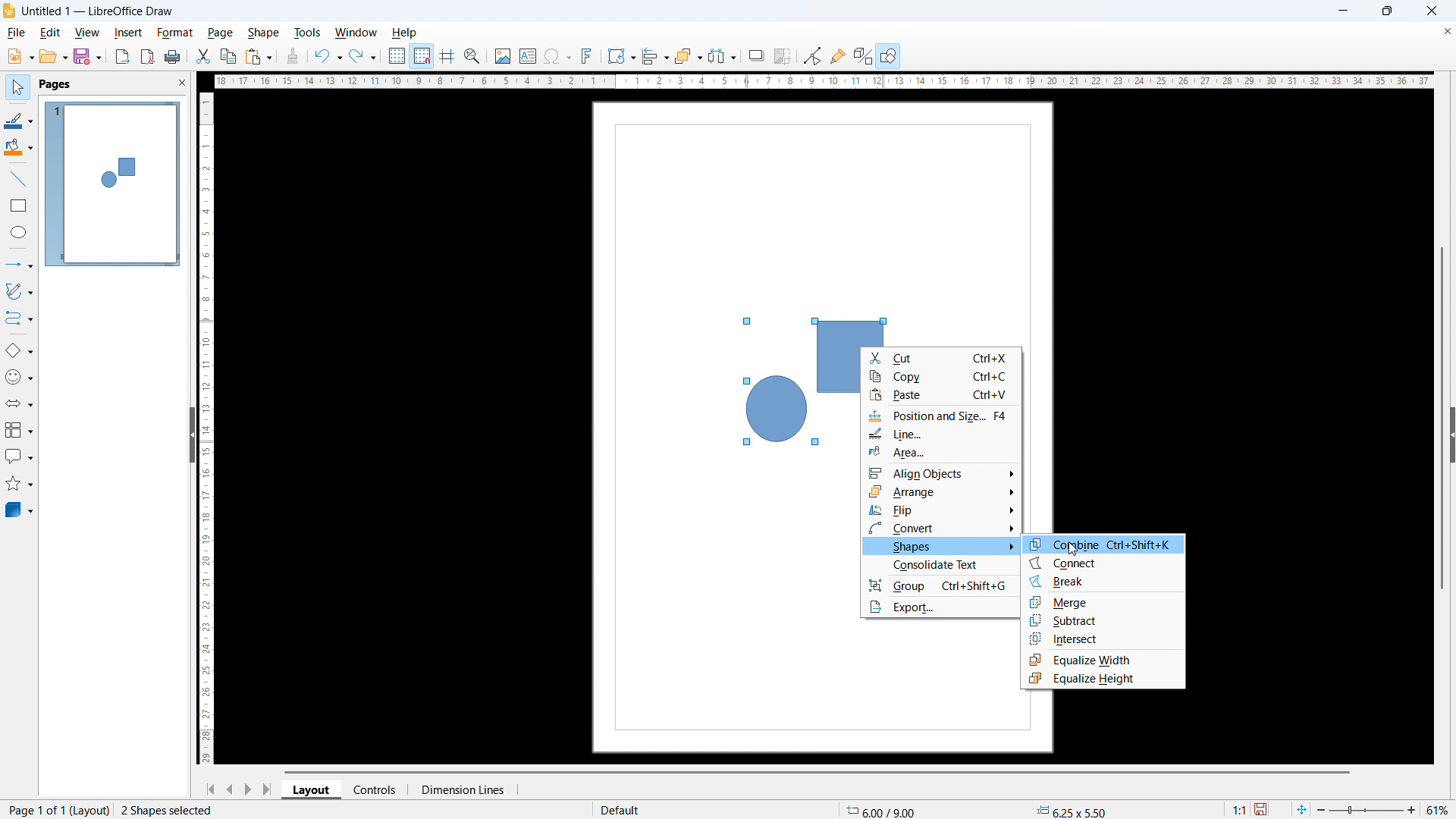 The width and height of the screenshot is (1456, 819). I want to click on block arrows, so click(20, 403).